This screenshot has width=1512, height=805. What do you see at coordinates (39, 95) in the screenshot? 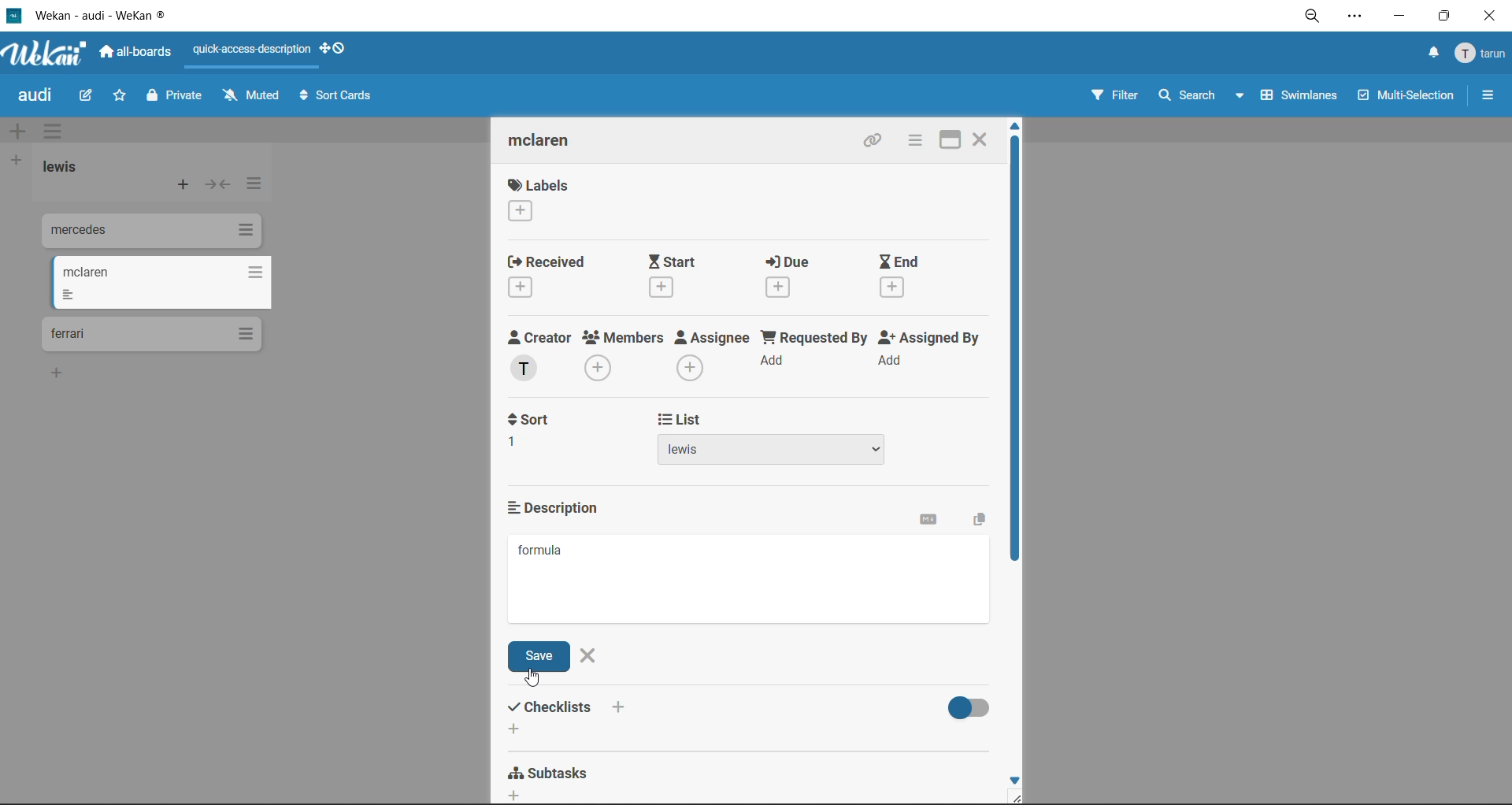
I see `board title` at bounding box center [39, 95].